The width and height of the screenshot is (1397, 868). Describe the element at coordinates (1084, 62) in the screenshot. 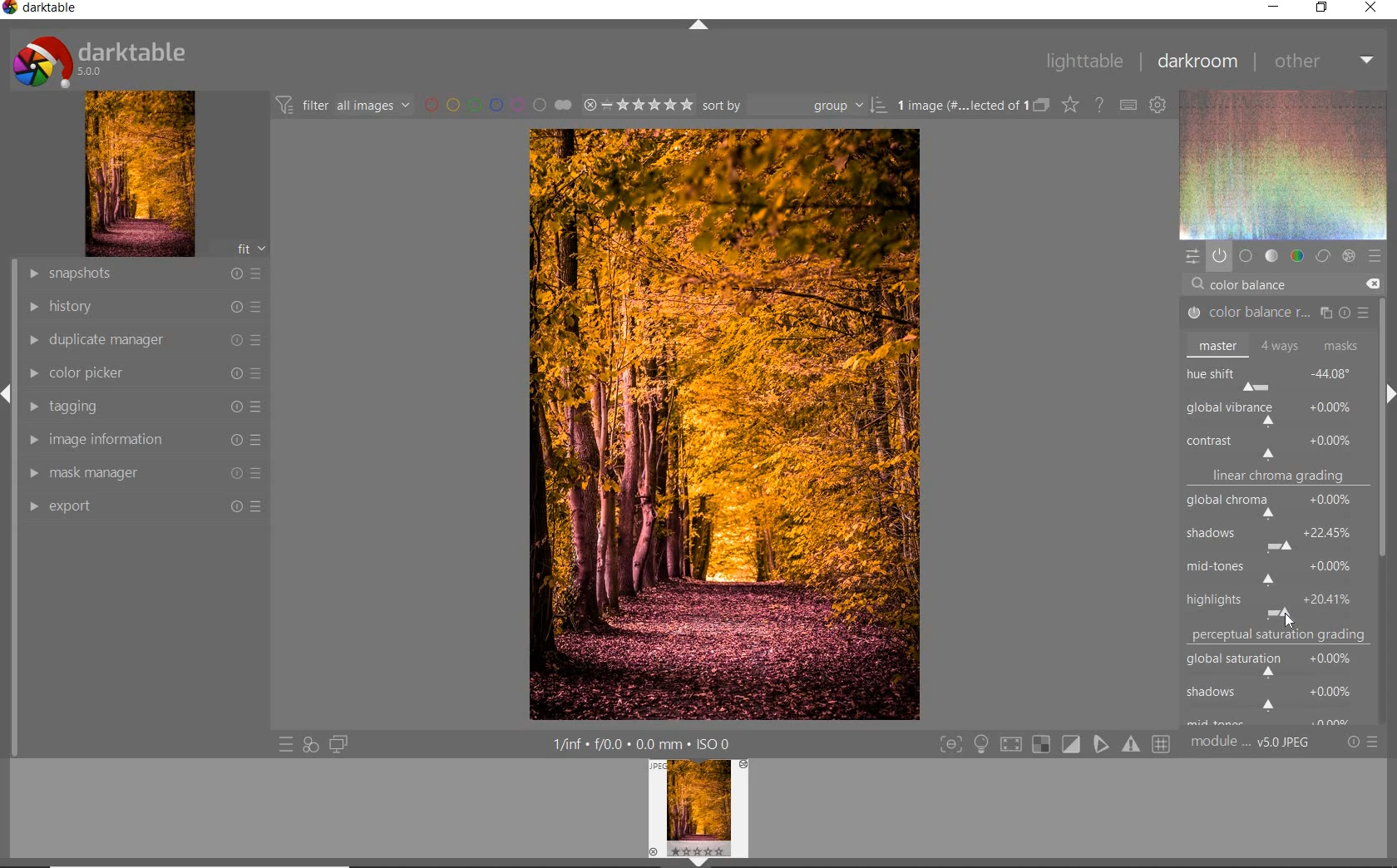

I see `lighttable` at that location.